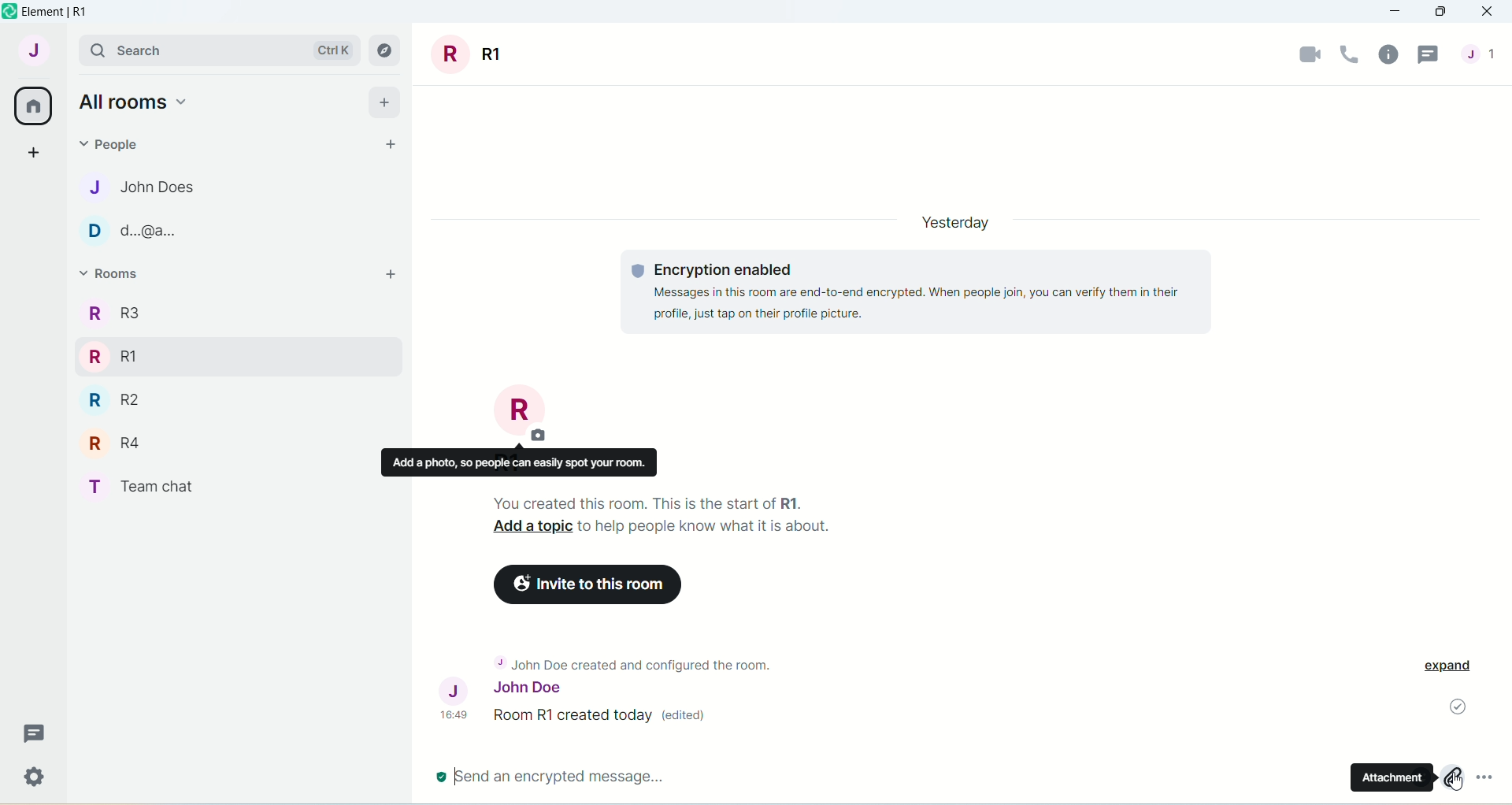  Describe the element at coordinates (134, 54) in the screenshot. I see `search` at that location.